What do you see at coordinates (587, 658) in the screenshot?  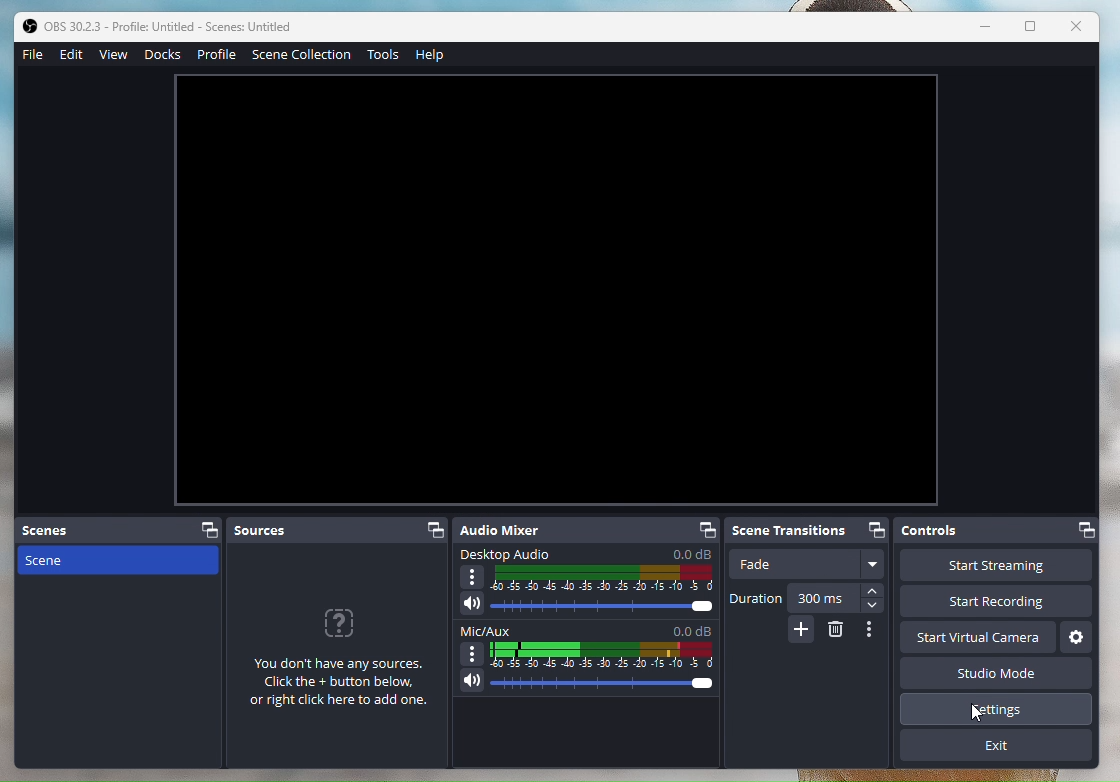 I see `Mic/Aux` at bounding box center [587, 658].